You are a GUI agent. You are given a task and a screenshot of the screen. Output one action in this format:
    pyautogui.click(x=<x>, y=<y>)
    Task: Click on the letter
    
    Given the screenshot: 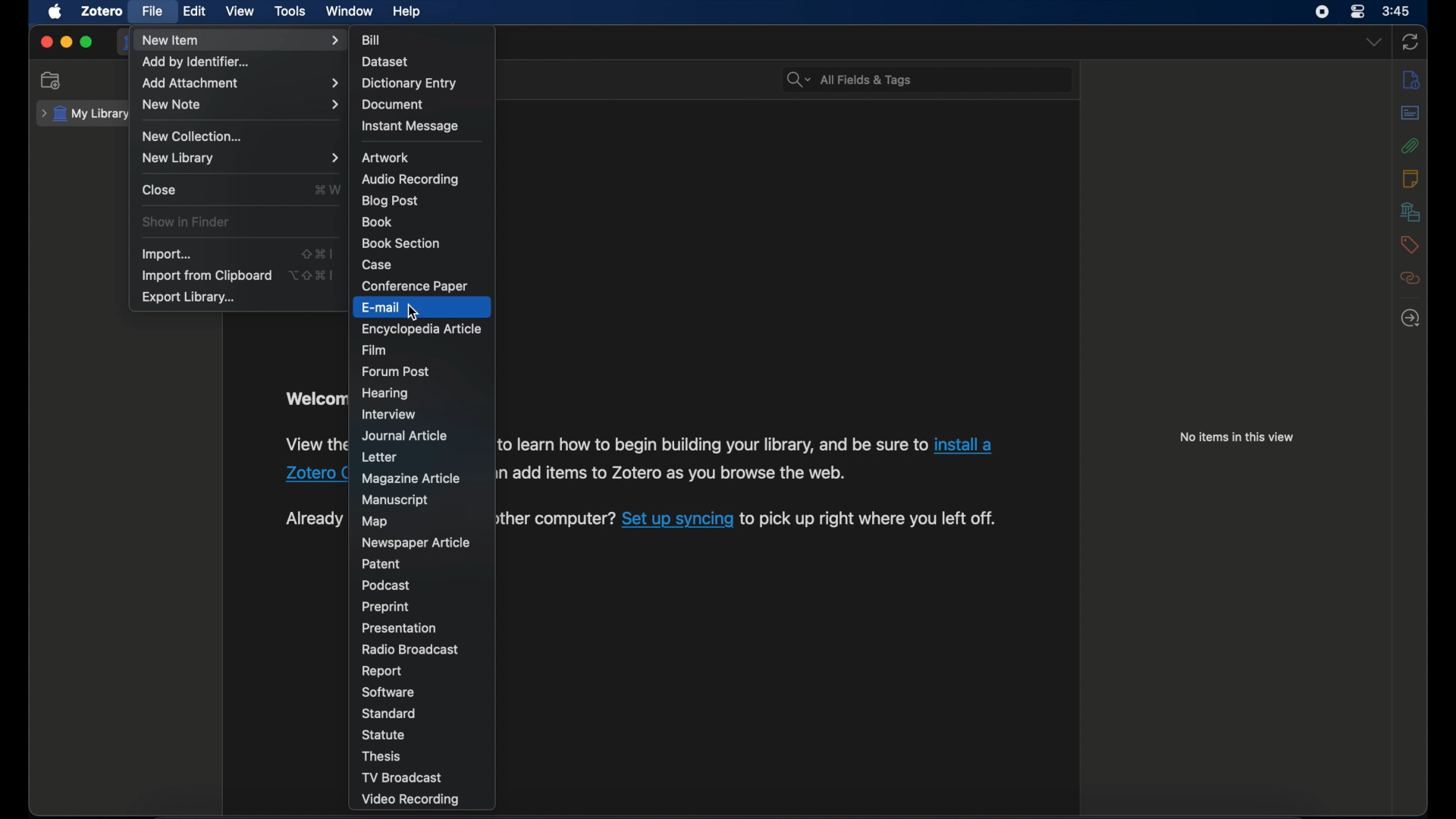 What is the action you would take?
    pyautogui.click(x=379, y=457)
    